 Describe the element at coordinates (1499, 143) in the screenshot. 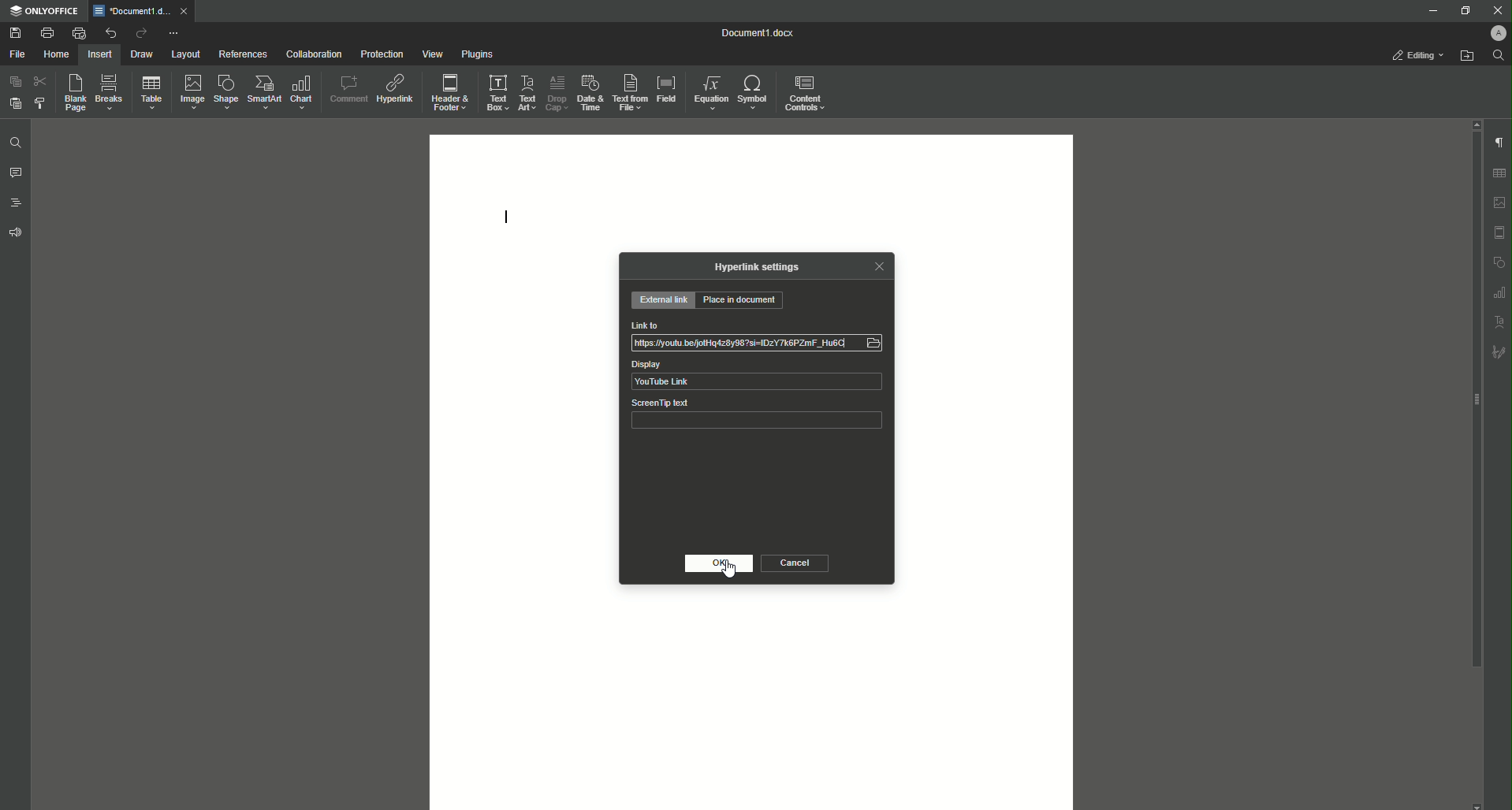

I see `Paragraph Settings` at that location.